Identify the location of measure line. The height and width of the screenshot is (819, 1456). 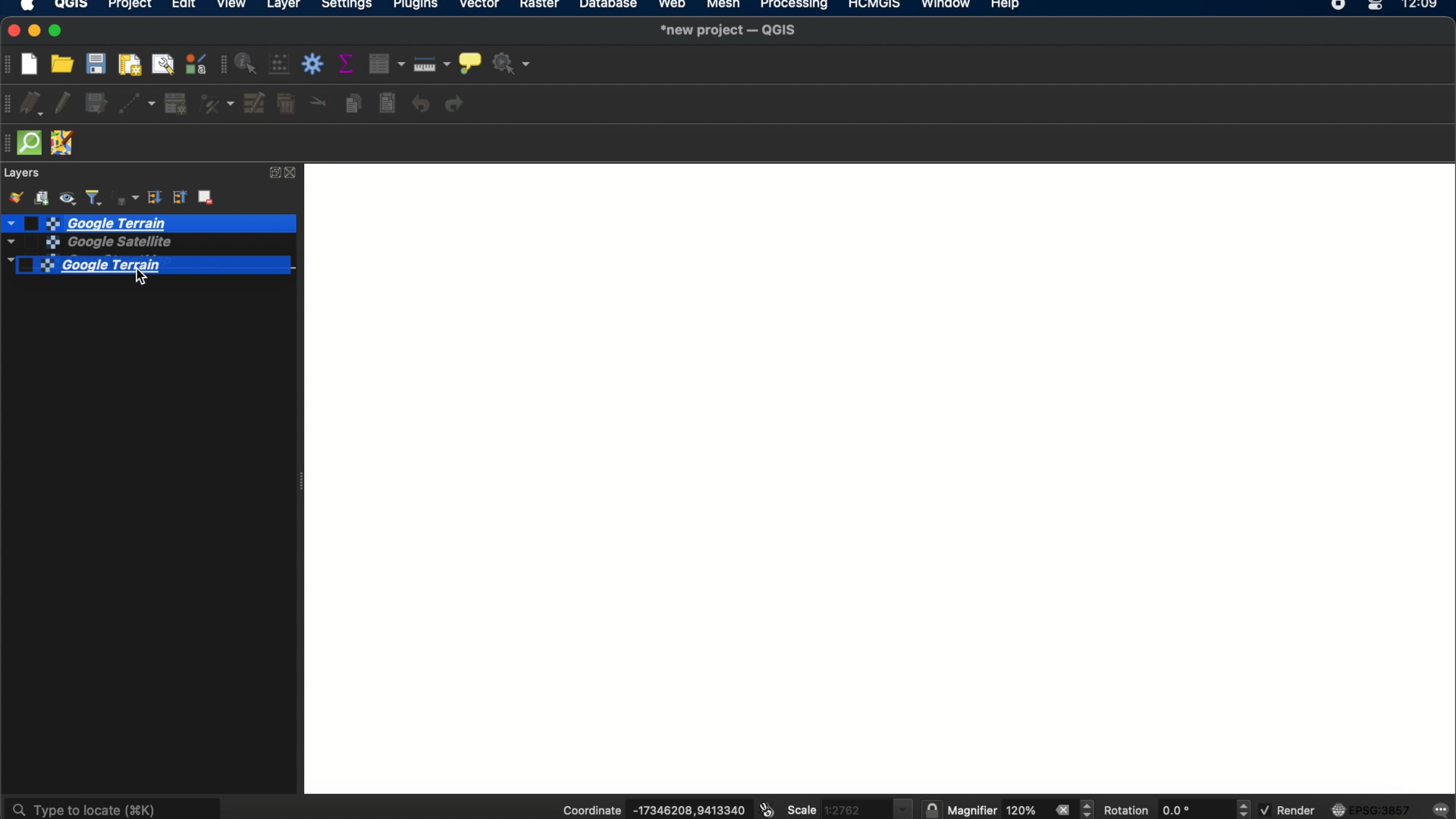
(433, 64).